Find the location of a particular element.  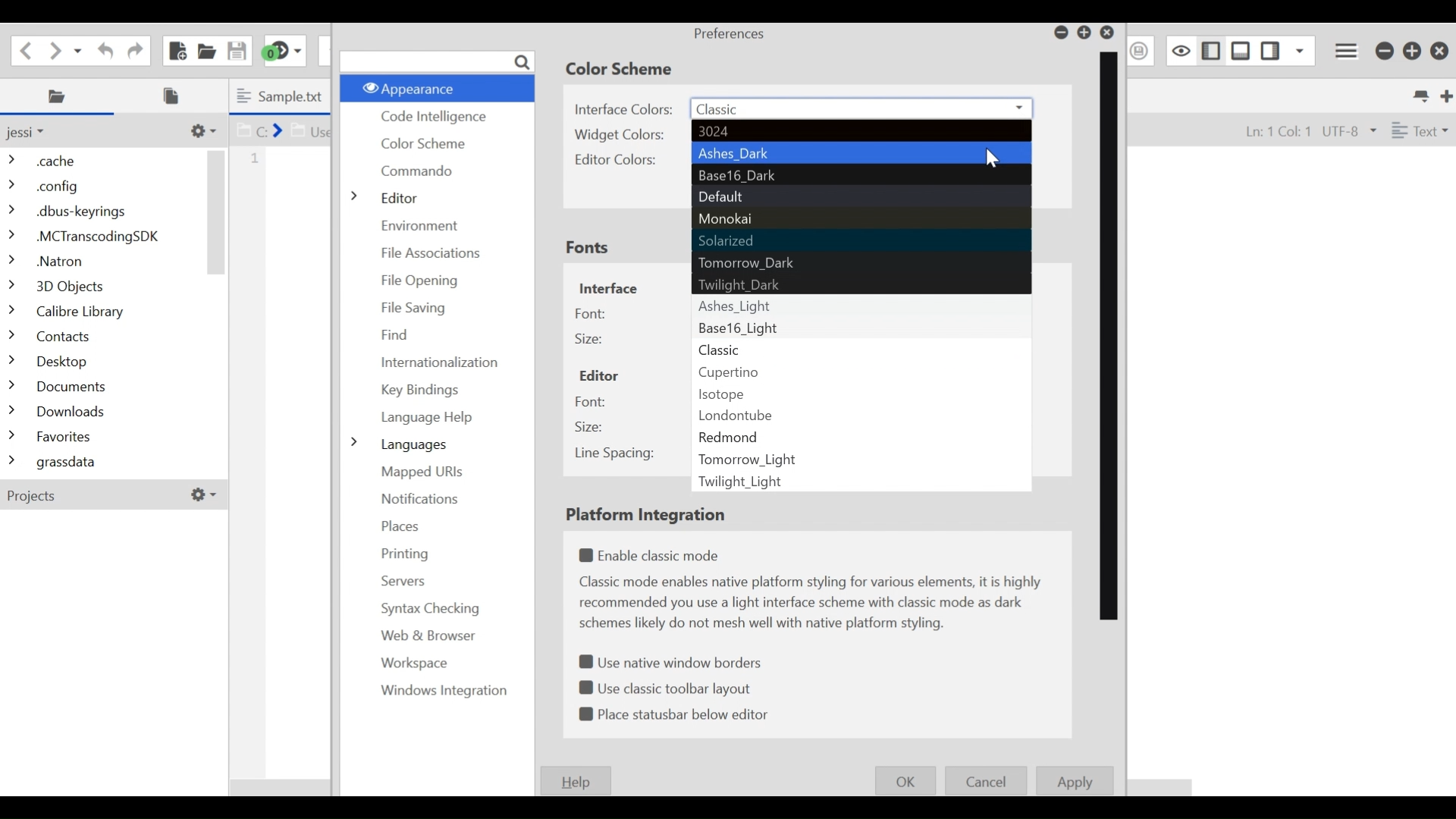

Current Tab is located at coordinates (283, 96).